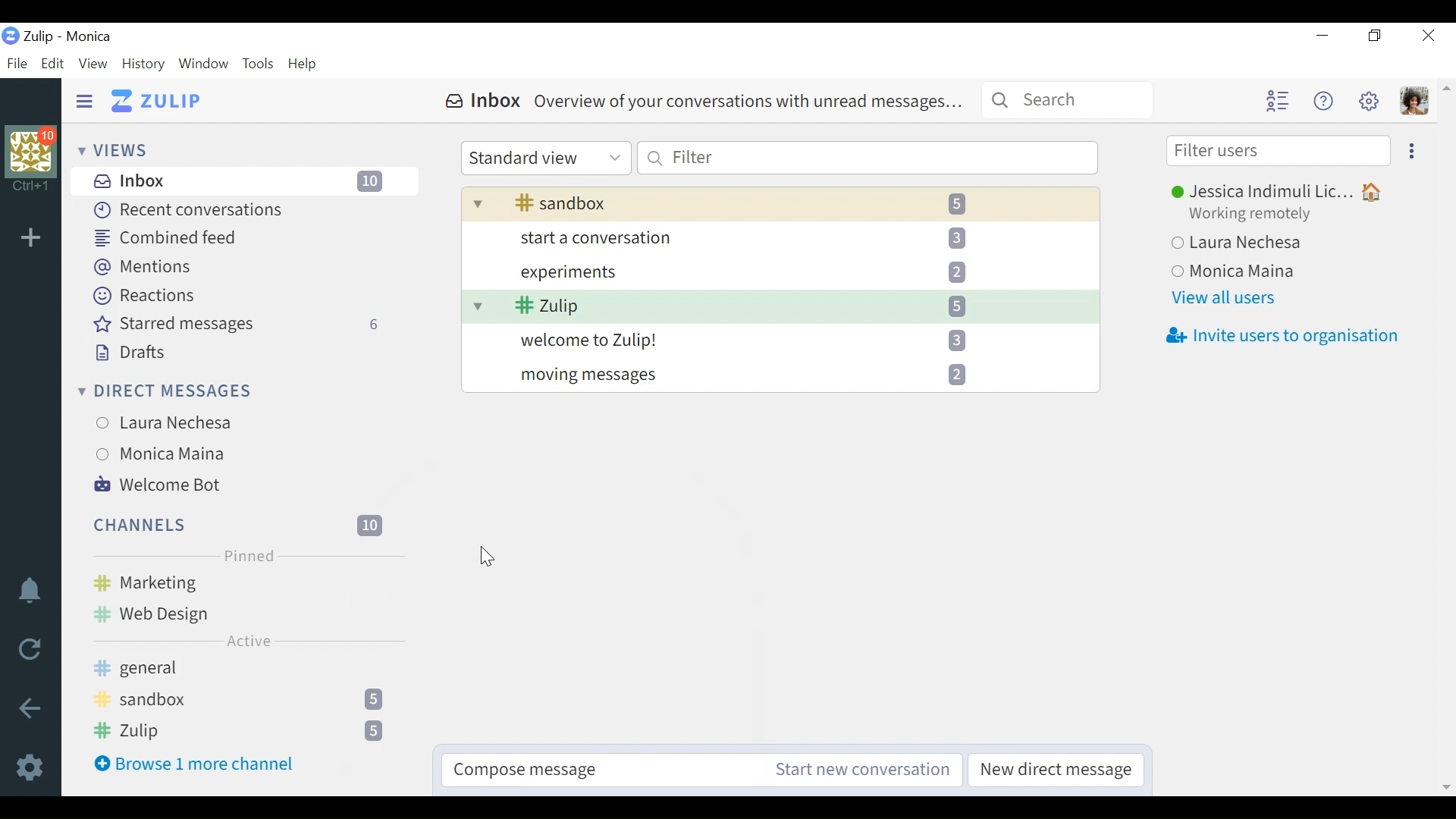 This screenshot has height=819, width=1456. Describe the element at coordinates (779, 237) in the screenshot. I see `start a conversation 3` at that location.